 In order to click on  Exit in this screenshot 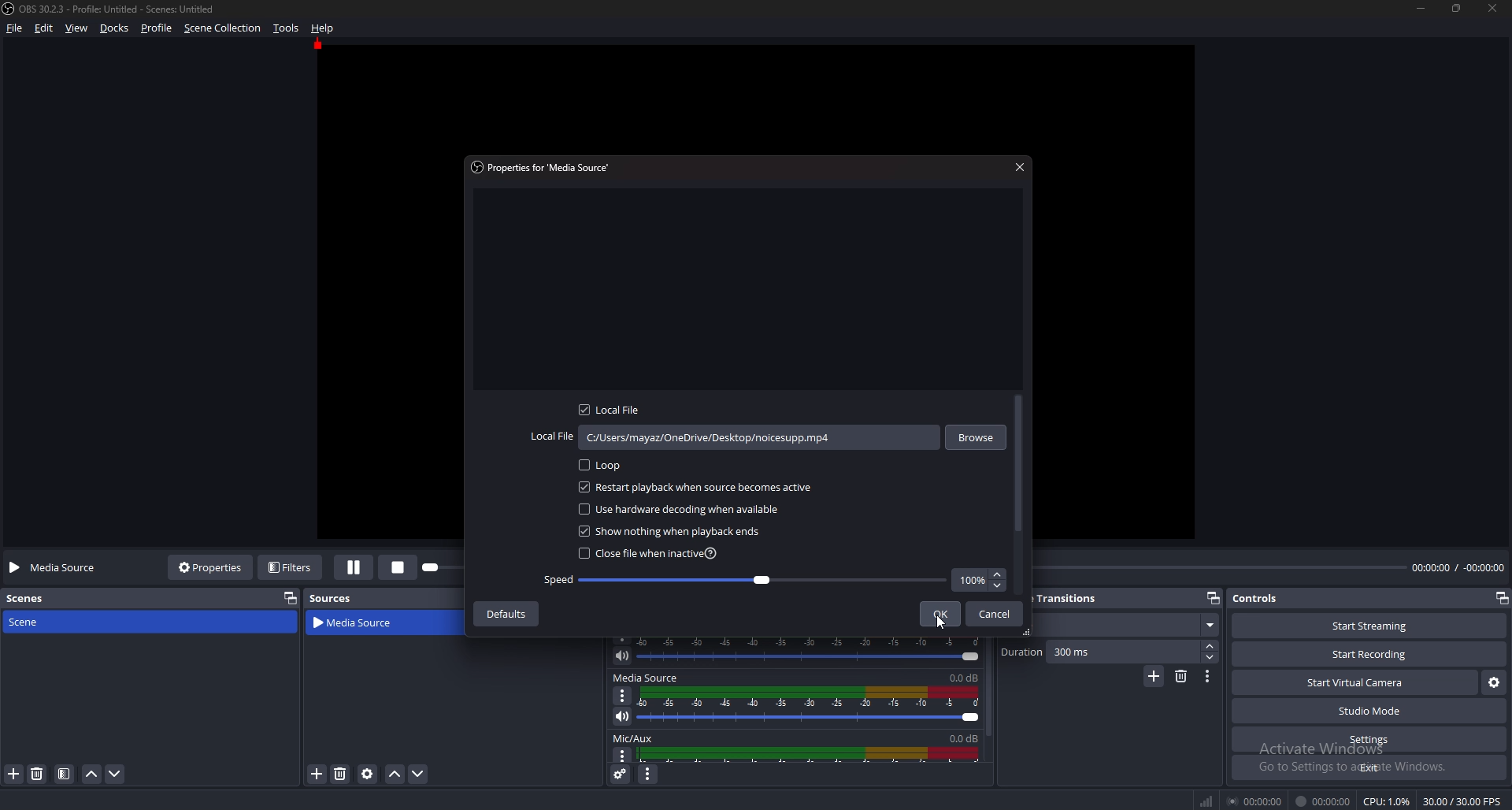, I will do `click(1370, 767)`.